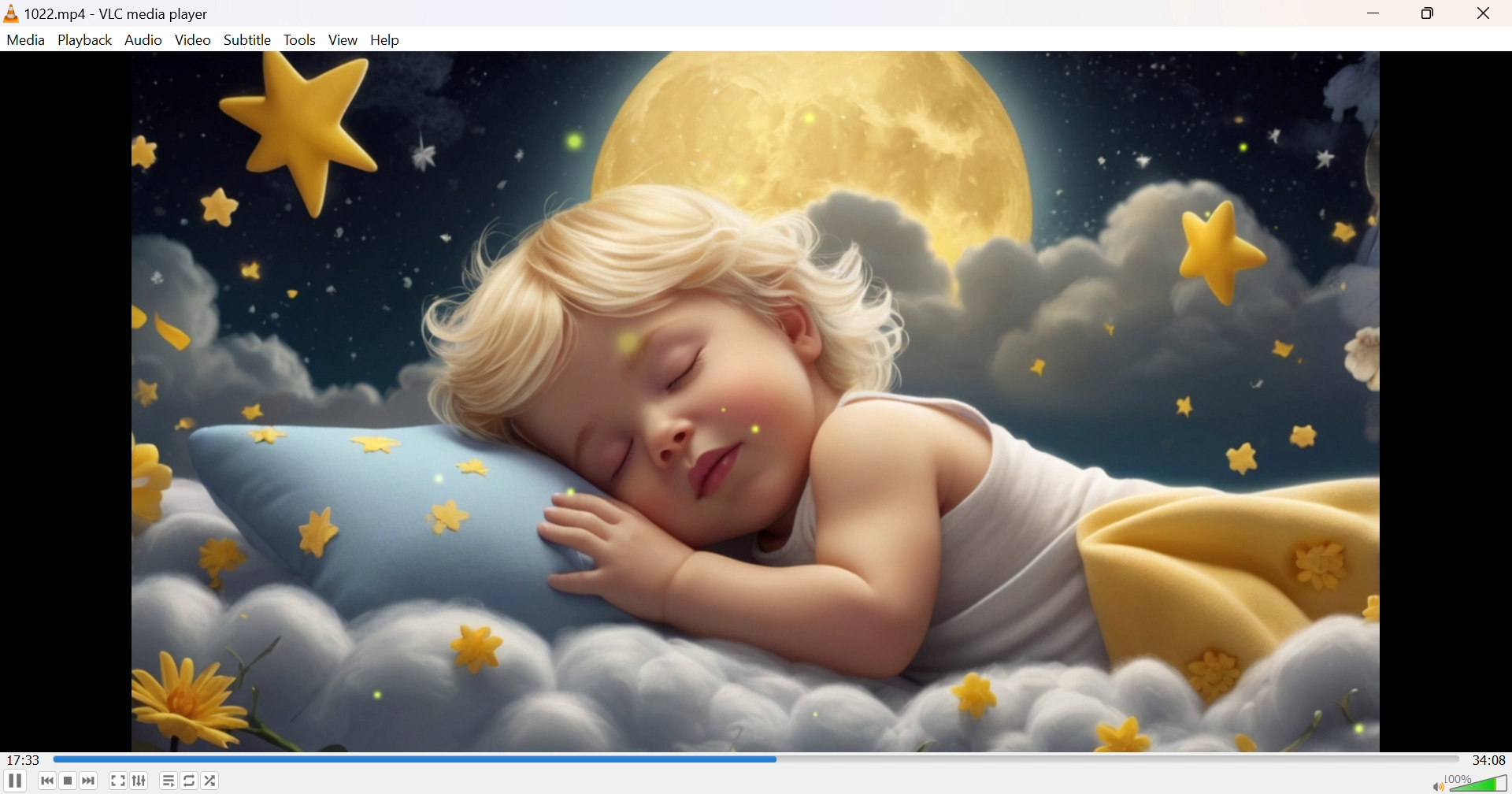 The width and height of the screenshot is (1512, 794). I want to click on Mute, so click(1434, 785).